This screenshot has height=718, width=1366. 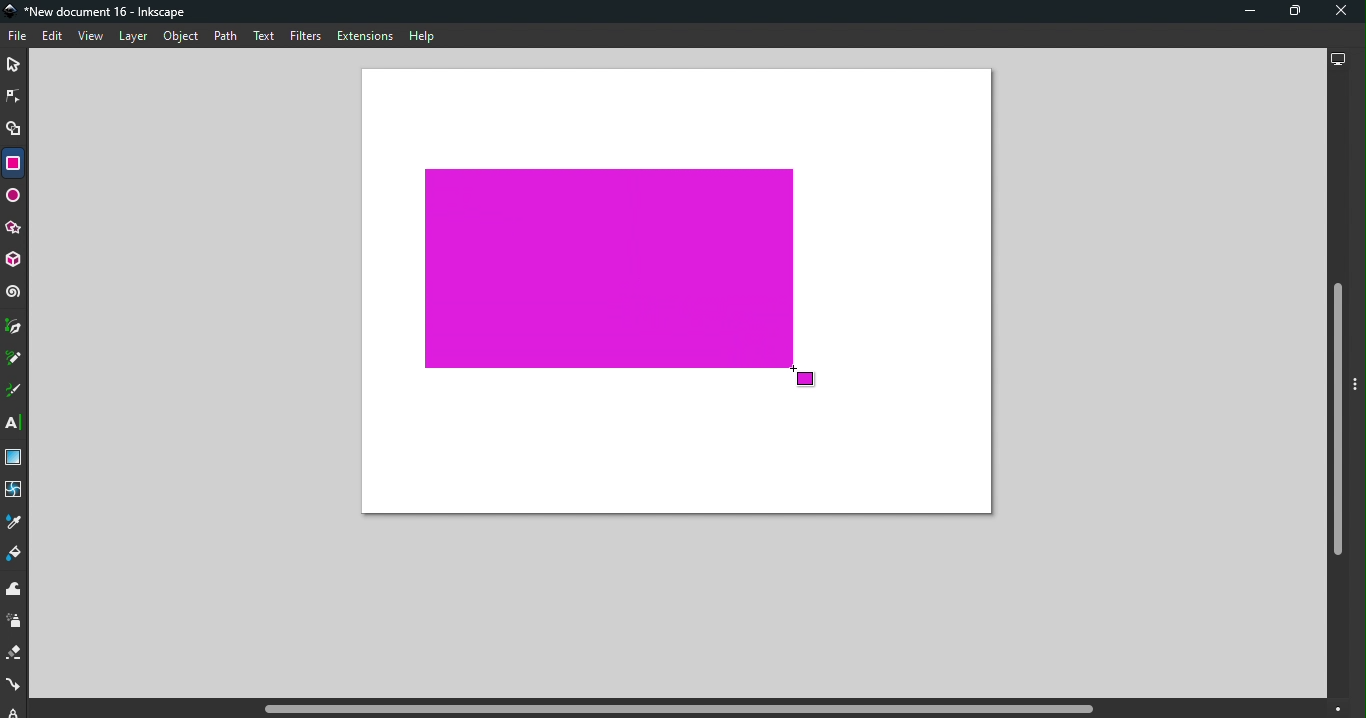 What do you see at coordinates (51, 37) in the screenshot?
I see `Edit` at bounding box center [51, 37].